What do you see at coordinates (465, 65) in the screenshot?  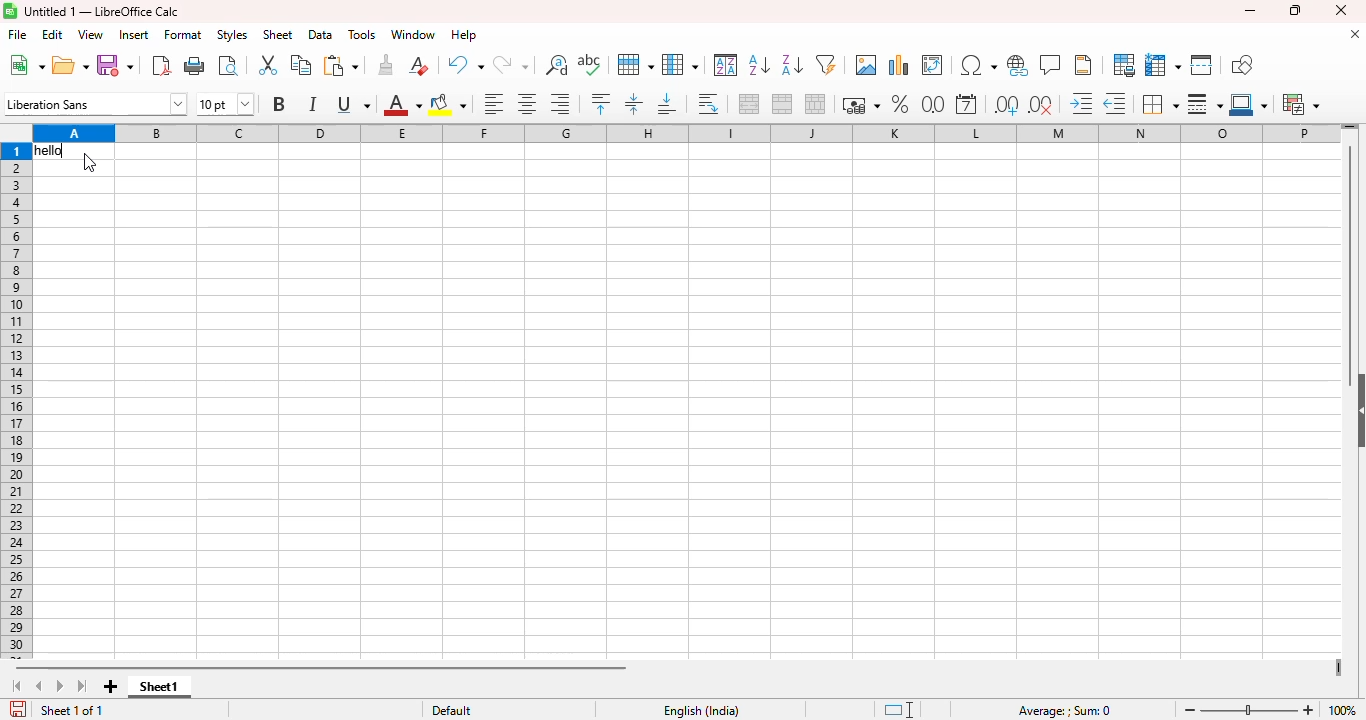 I see `undo` at bounding box center [465, 65].